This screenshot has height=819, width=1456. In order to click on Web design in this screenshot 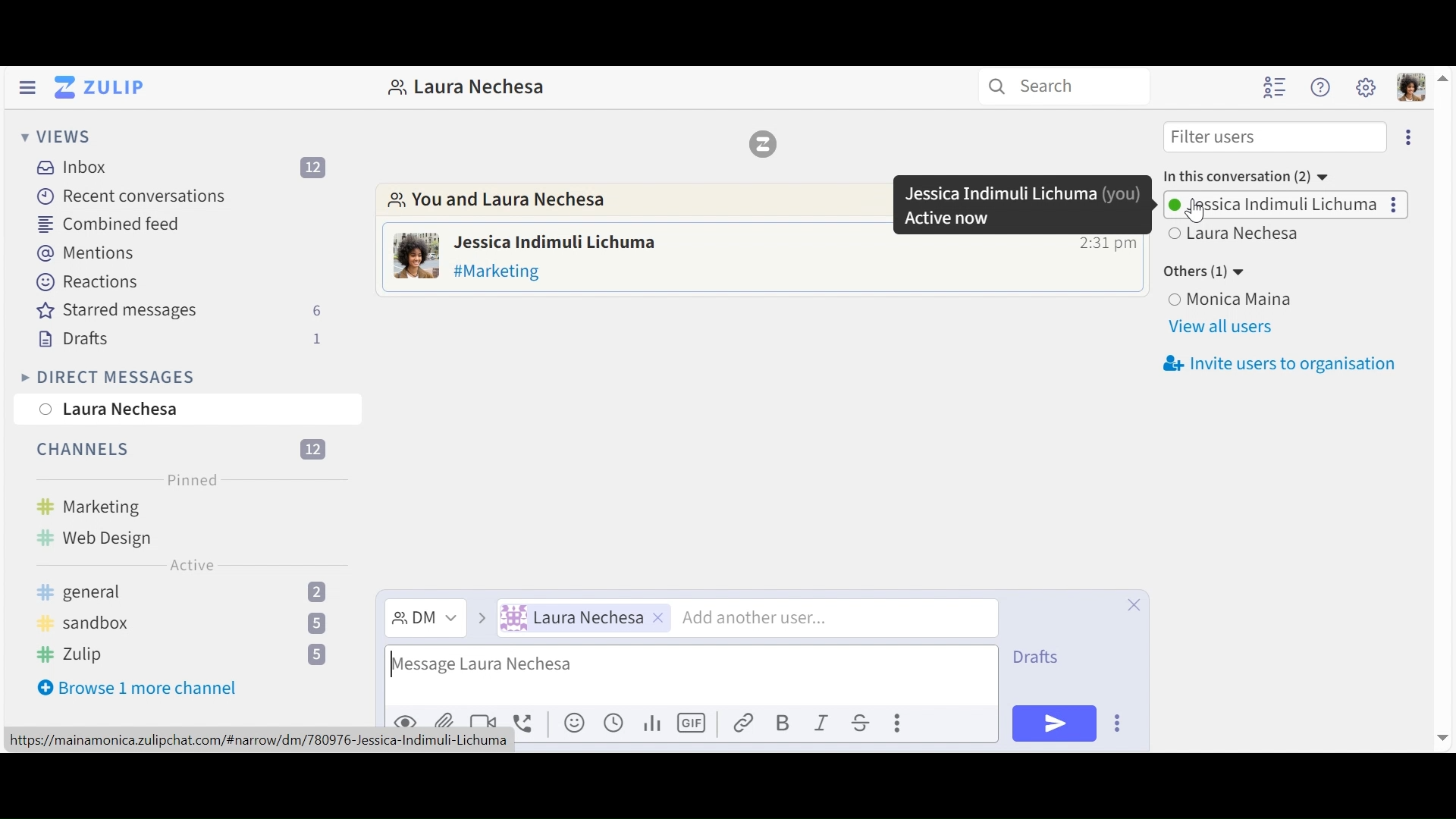, I will do `click(93, 535)`.